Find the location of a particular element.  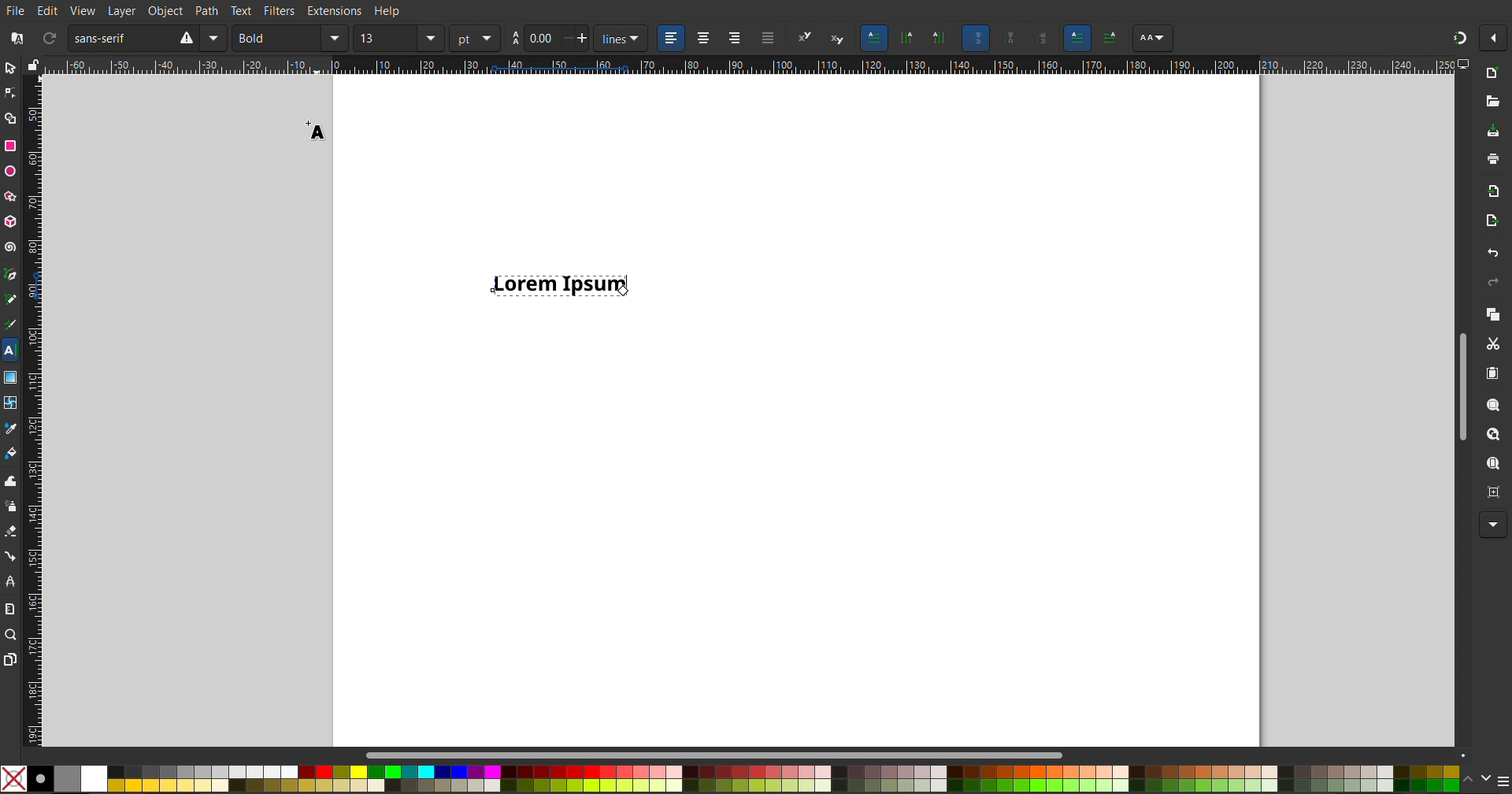

Mesh Tool is located at coordinates (11, 399).